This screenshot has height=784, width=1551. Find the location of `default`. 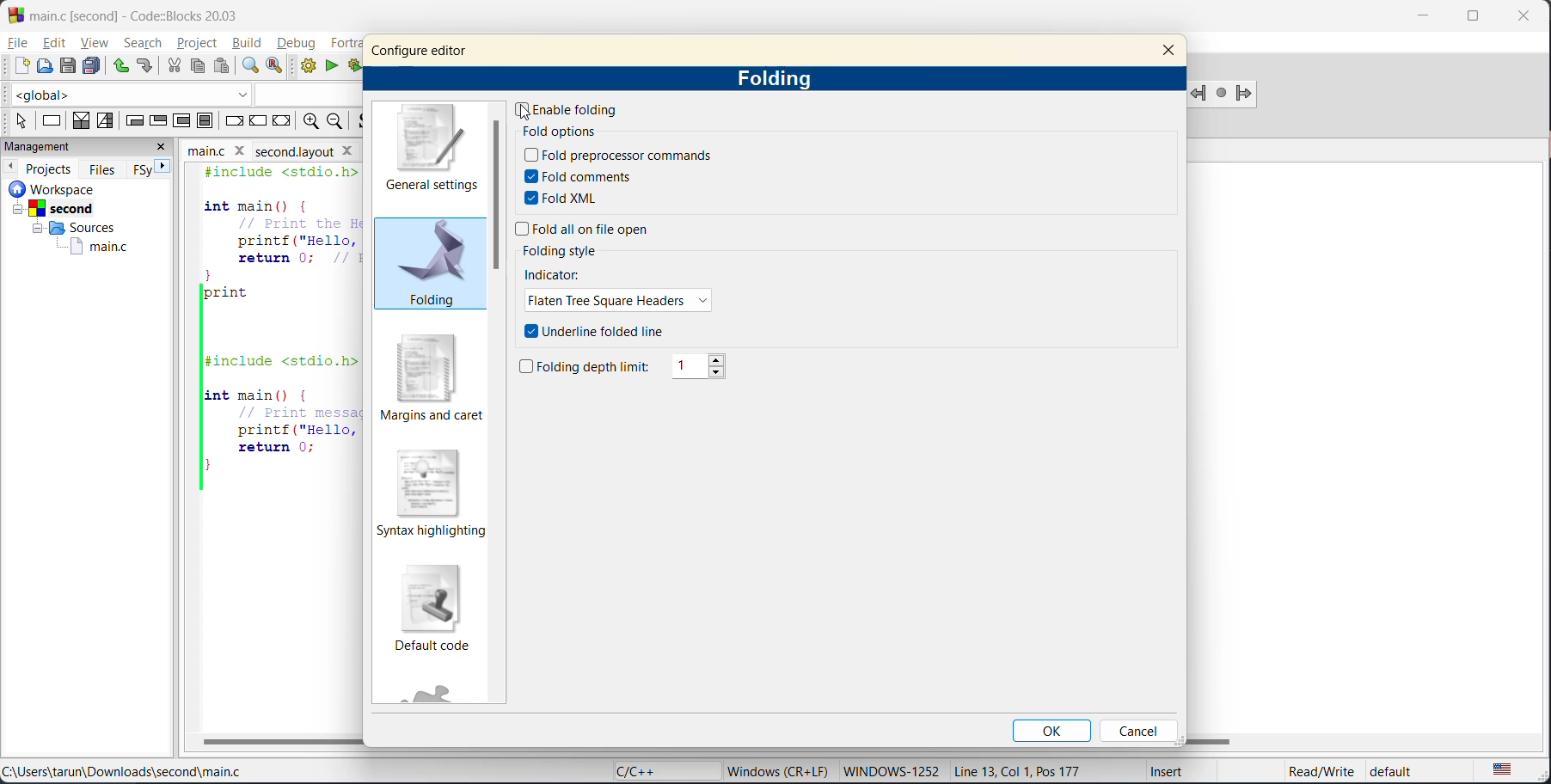

default is located at coordinates (1407, 772).